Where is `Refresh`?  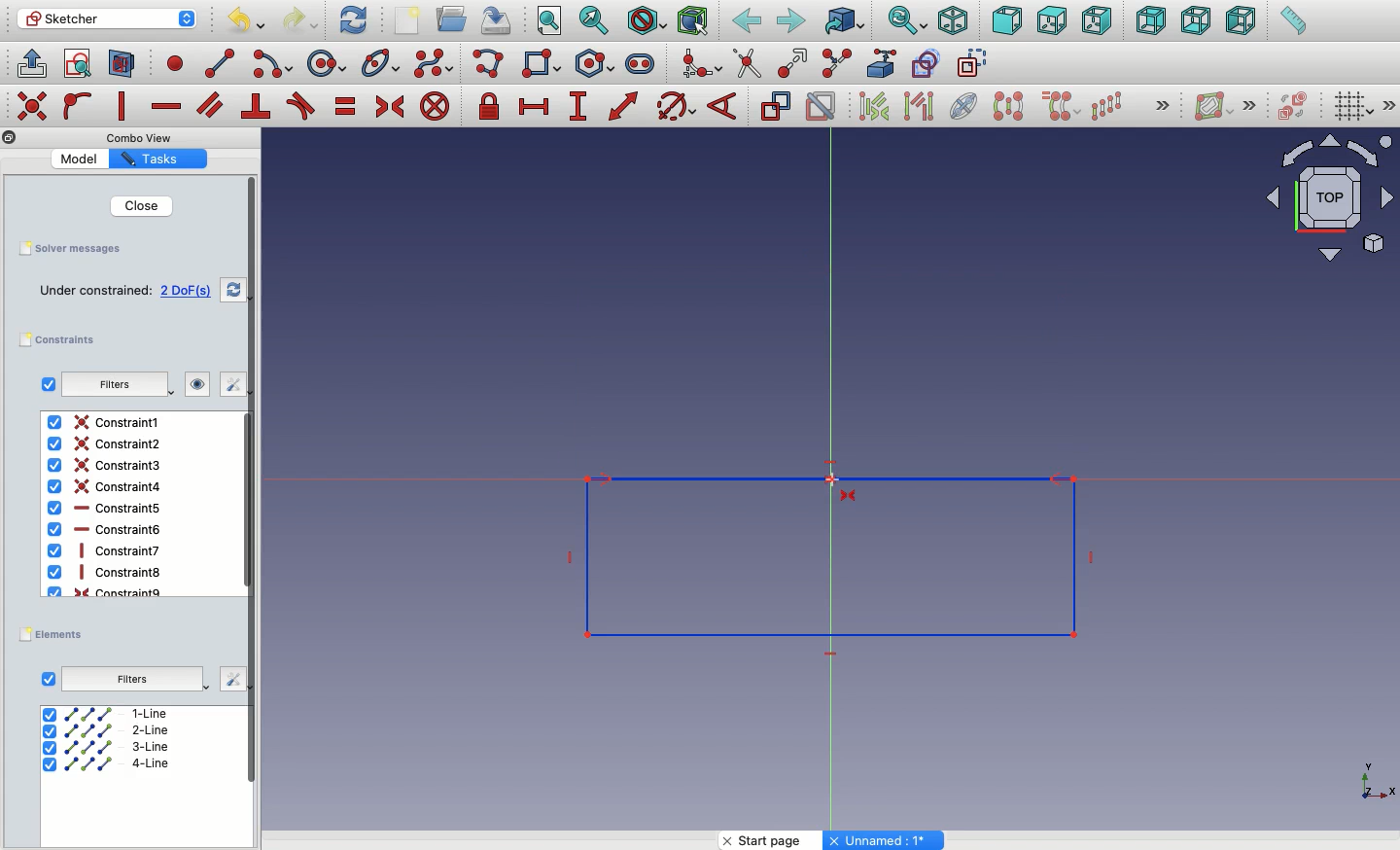
Refresh is located at coordinates (353, 18).